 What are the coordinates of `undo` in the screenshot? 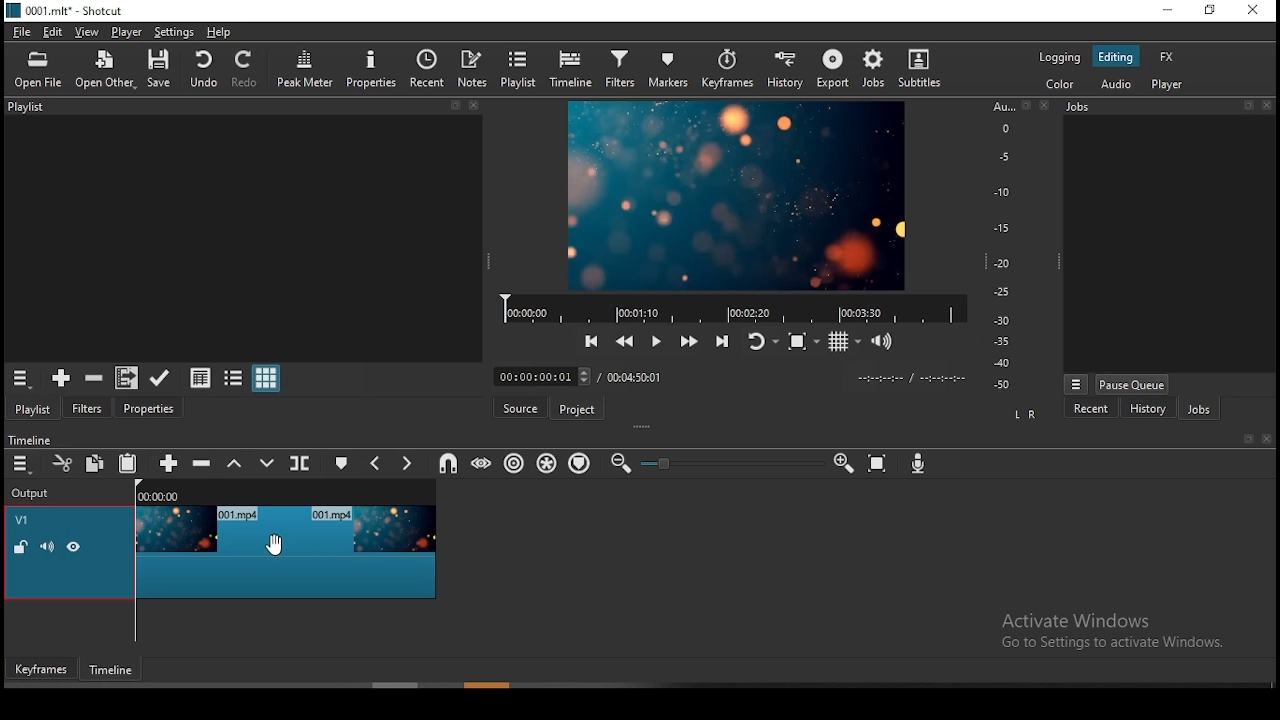 It's located at (203, 70).